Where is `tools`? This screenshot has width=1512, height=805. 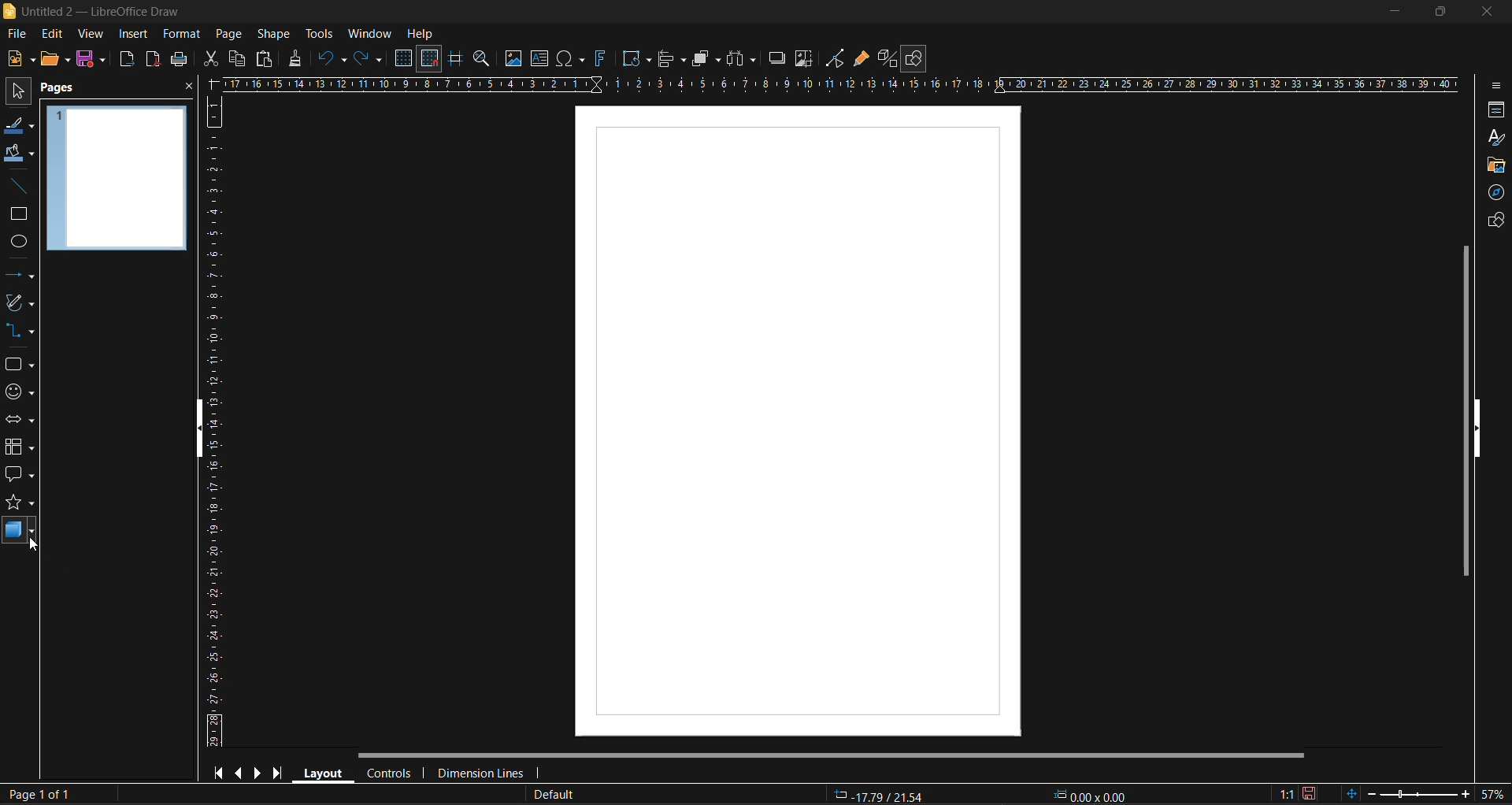
tools is located at coordinates (319, 33).